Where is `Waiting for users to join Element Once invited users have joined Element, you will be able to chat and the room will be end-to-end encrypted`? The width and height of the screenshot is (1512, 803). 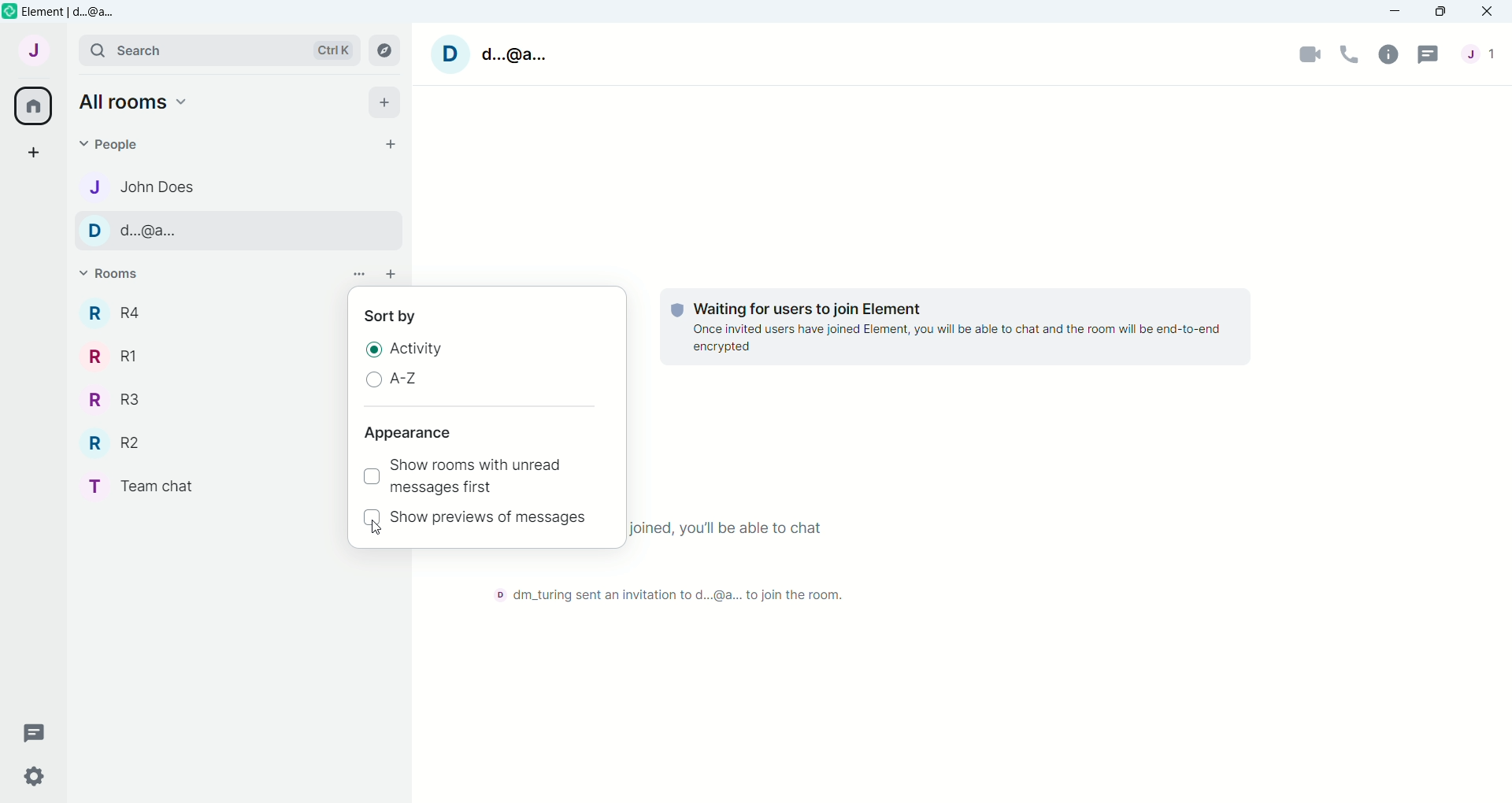 Waiting for users to join Element Once invited users have joined Element, you will be able to chat and the room will be end-to-end encrypted is located at coordinates (954, 327).